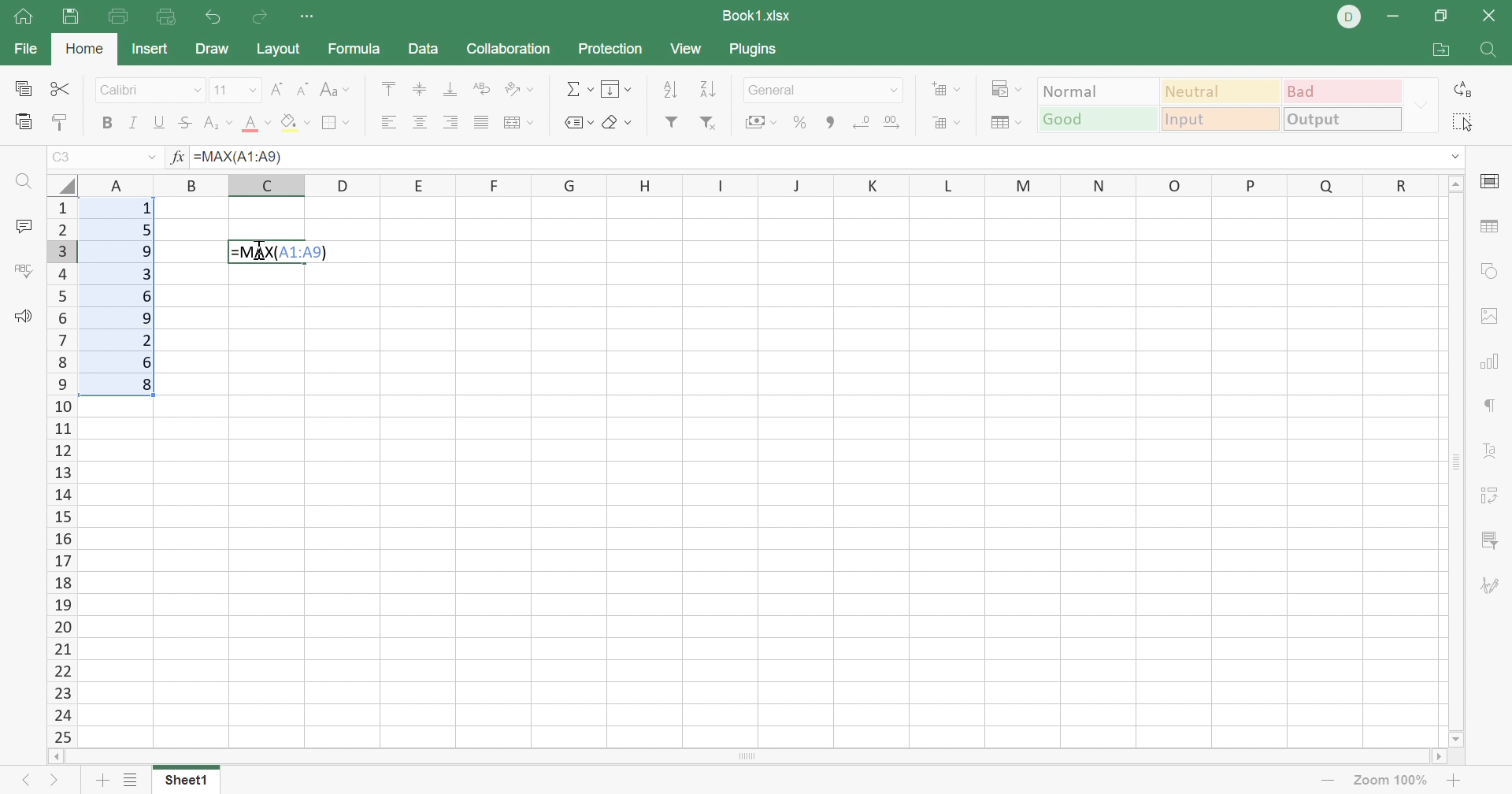 The width and height of the screenshot is (1512, 794). Describe the element at coordinates (687, 47) in the screenshot. I see `View` at that location.